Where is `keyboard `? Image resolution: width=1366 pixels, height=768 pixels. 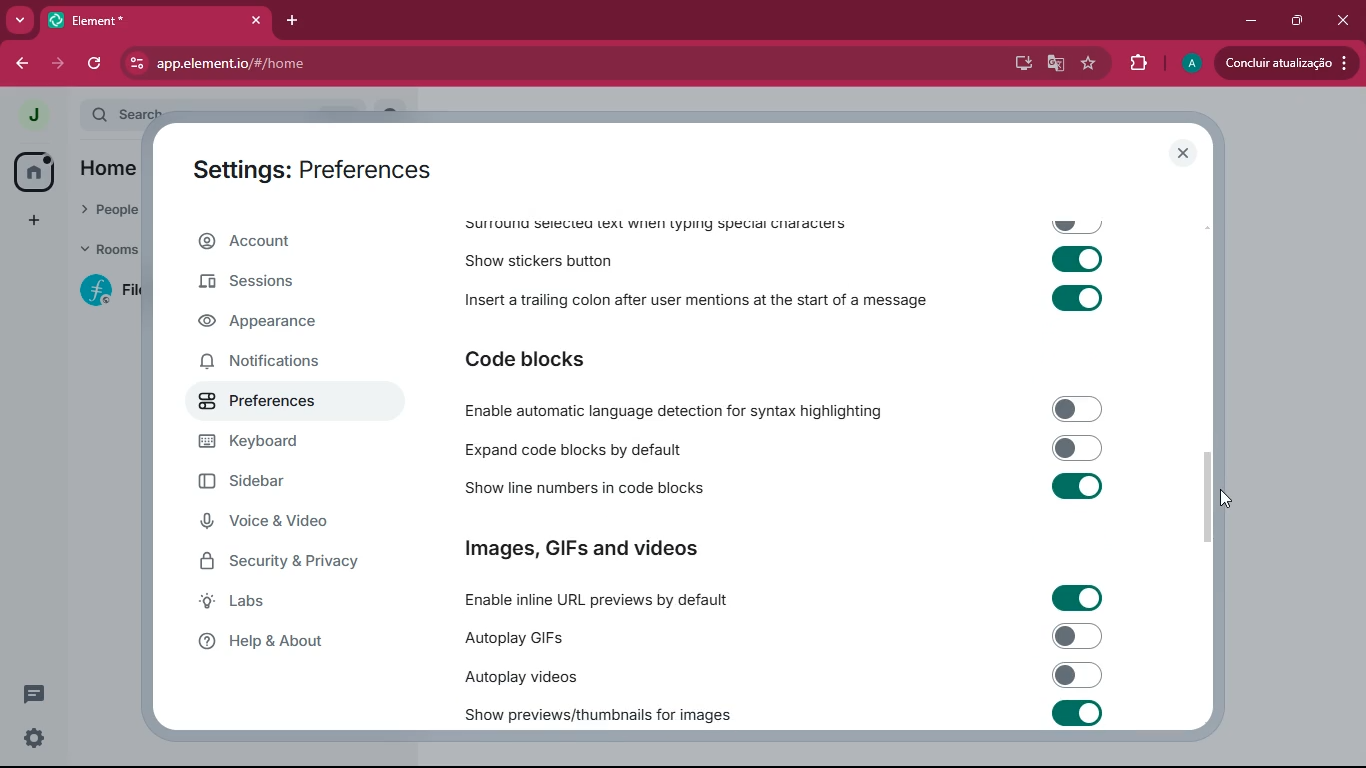 keyboard  is located at coordinates (283, 444).